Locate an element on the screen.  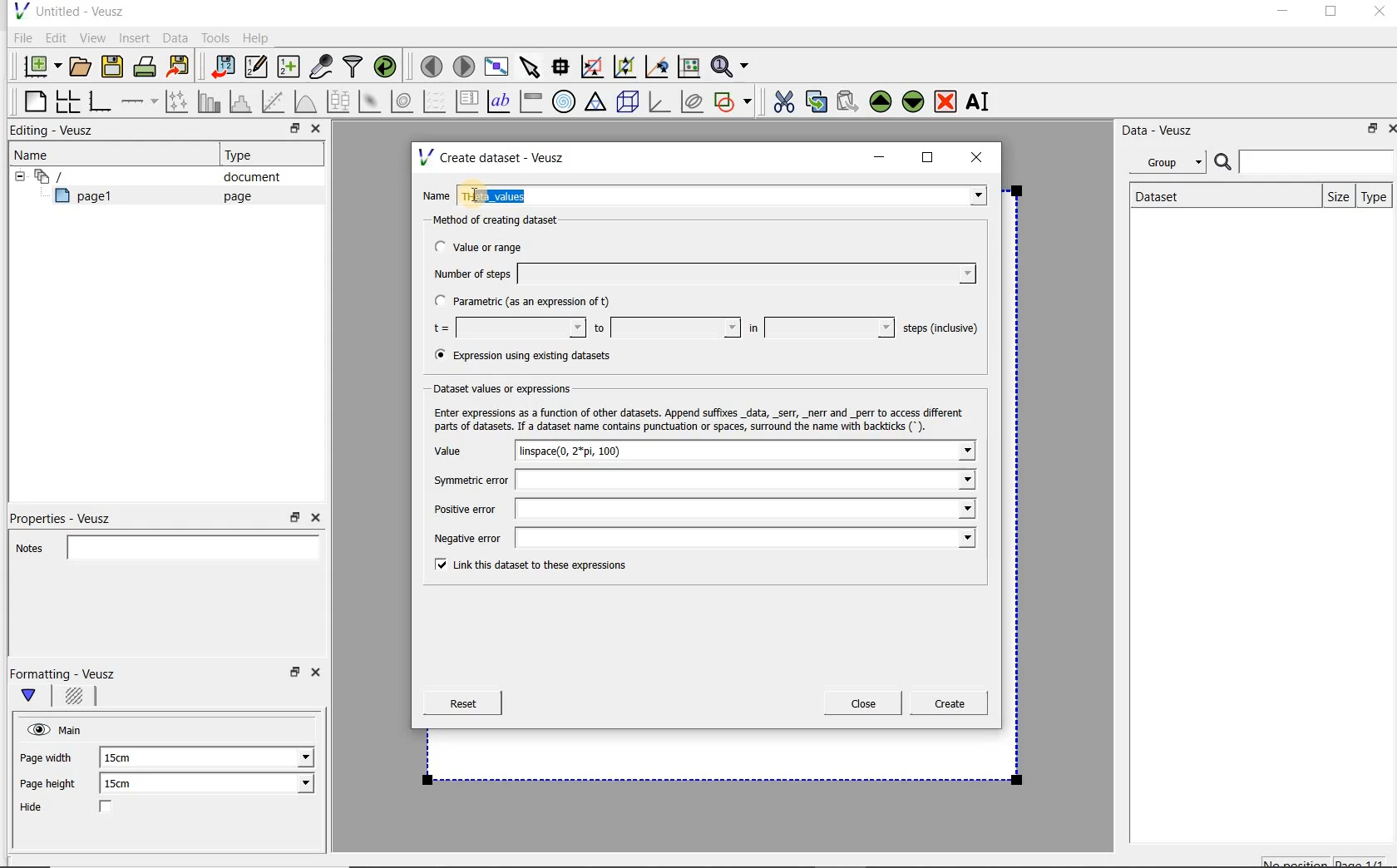
Help is located at coordinates (258, 37).